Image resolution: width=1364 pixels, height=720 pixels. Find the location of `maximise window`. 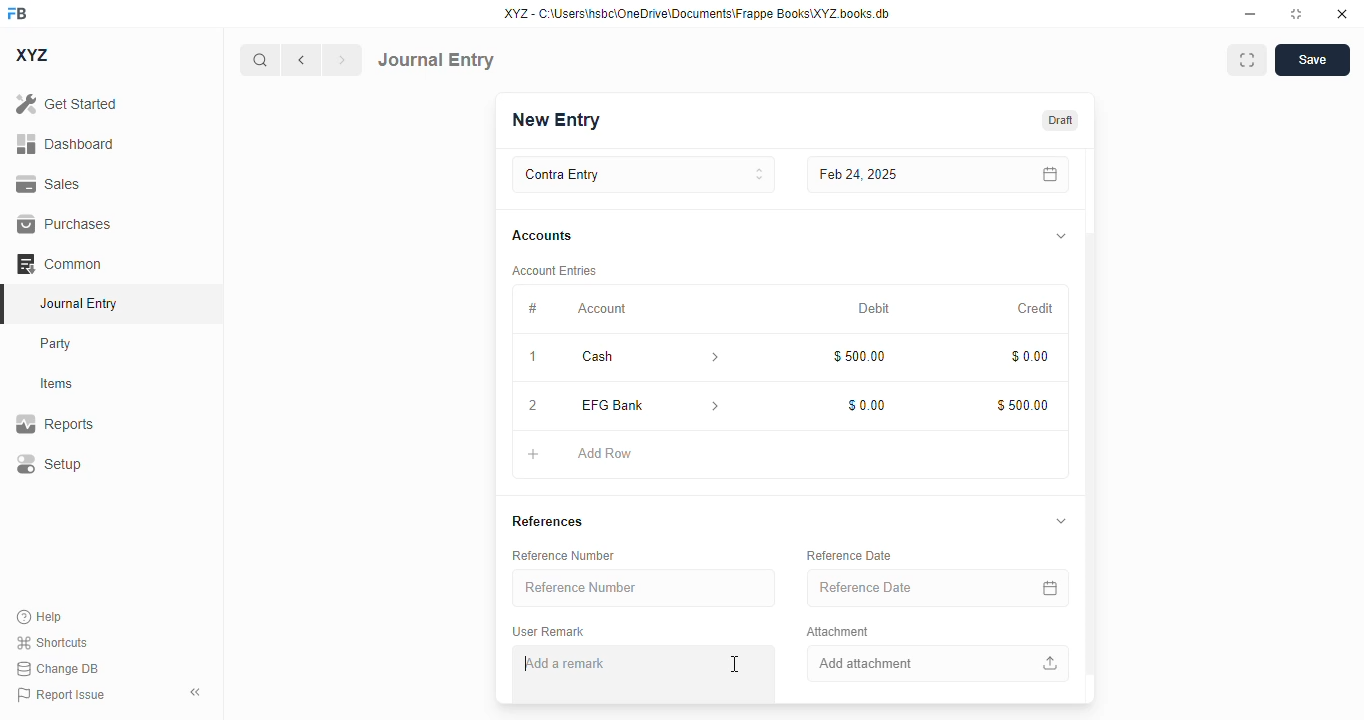

maximise window is located at coordinates (1247, 60).